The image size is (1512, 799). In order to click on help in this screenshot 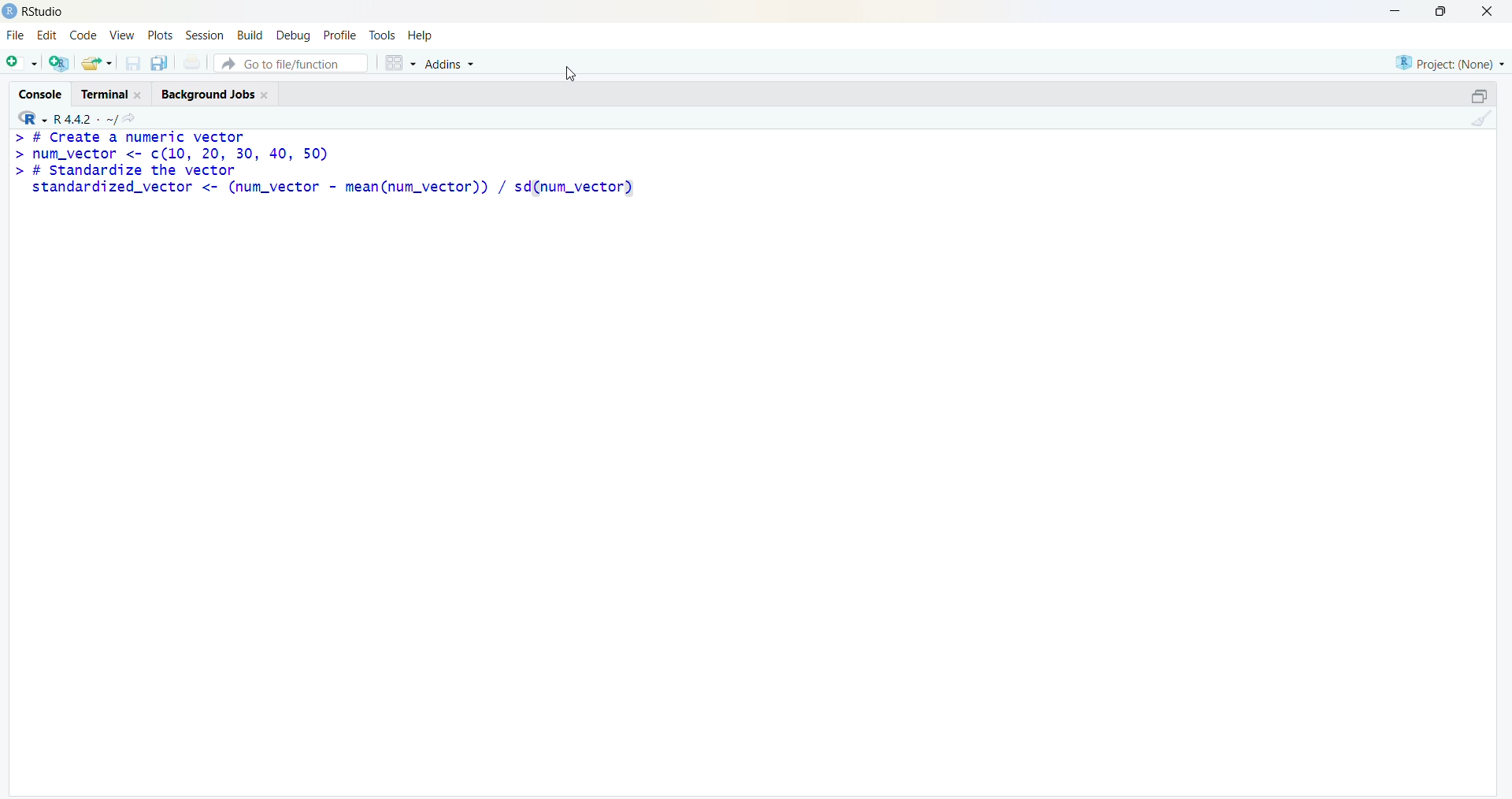, I will do `click(421, 36)`.